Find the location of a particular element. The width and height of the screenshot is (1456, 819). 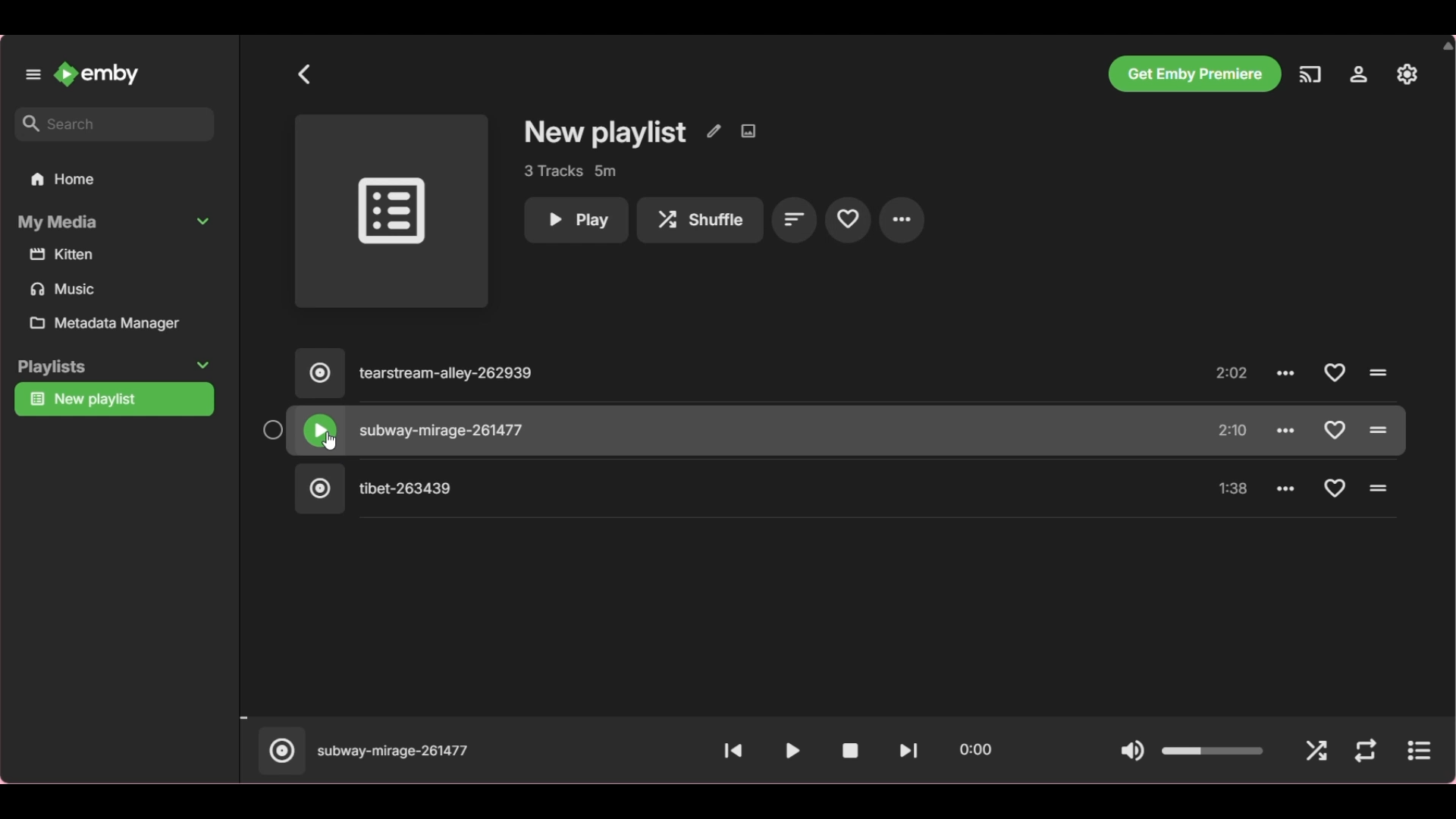

Music length of song is located at coordinates (1234, 375).